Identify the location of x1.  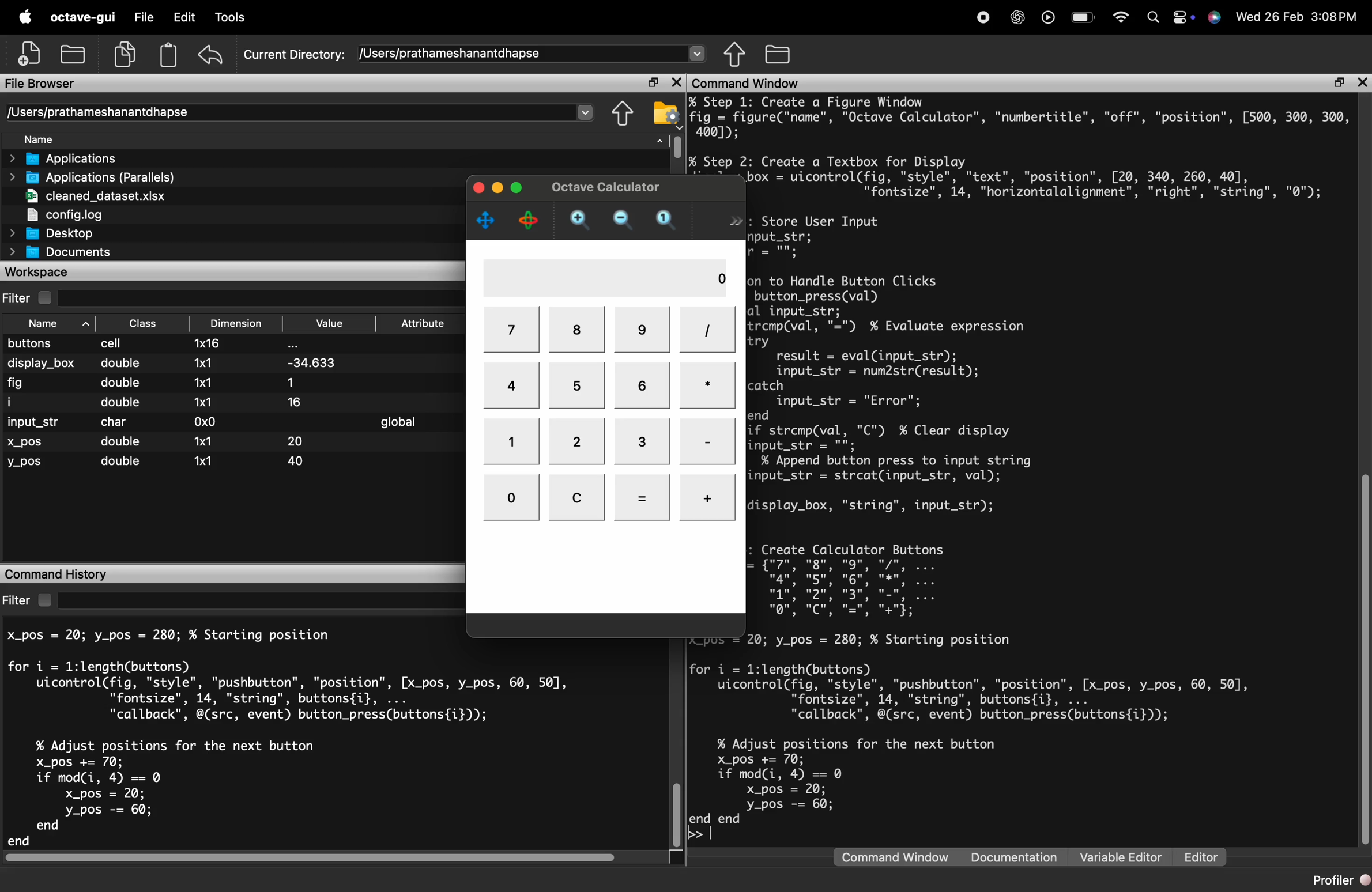
(205, 460).